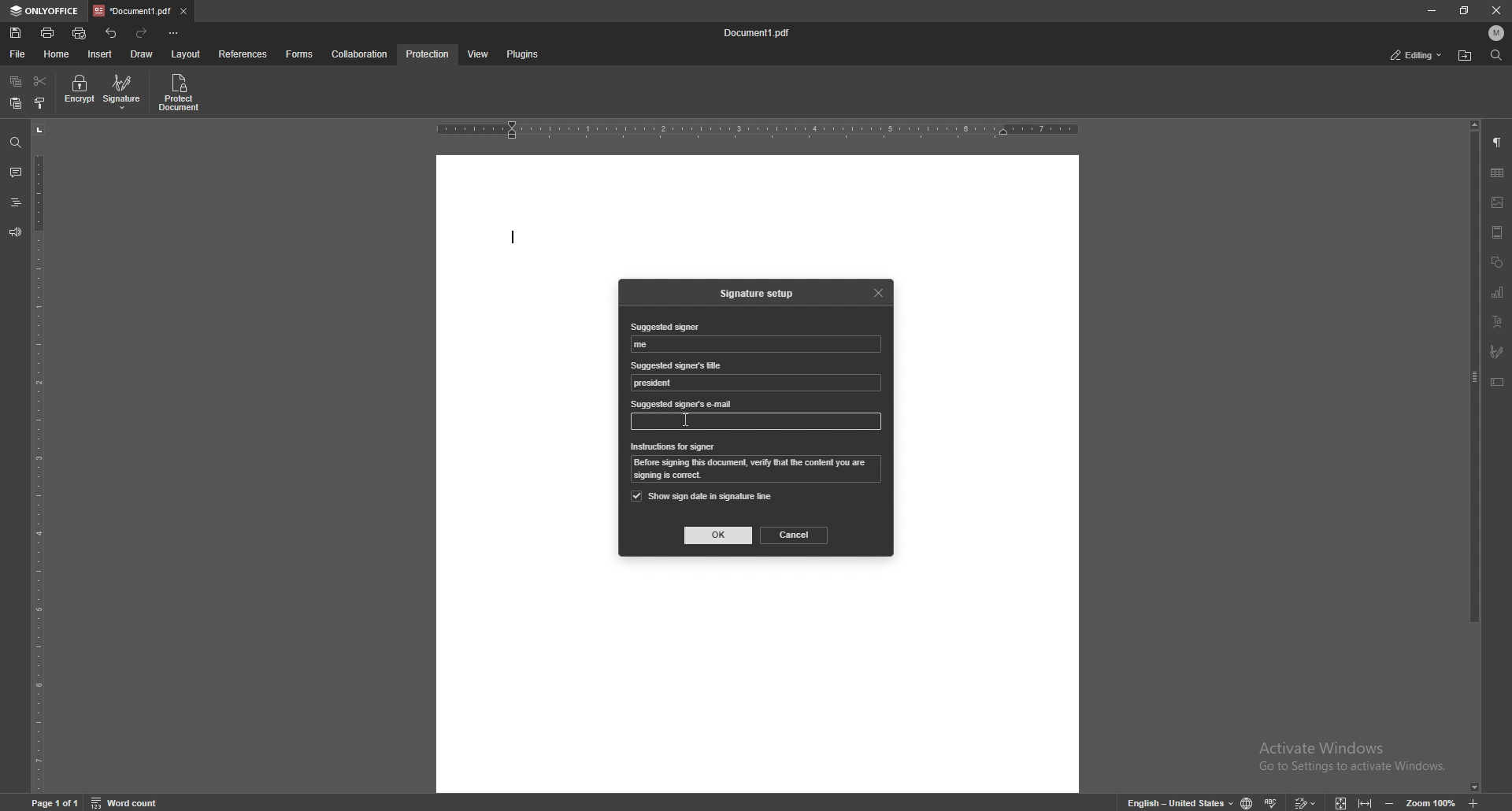 The image size is (1512, 811). What do you see at coordinates (1497, 143) in the screenshot?
I see `paragraph` at bounding box center [1497, 143].